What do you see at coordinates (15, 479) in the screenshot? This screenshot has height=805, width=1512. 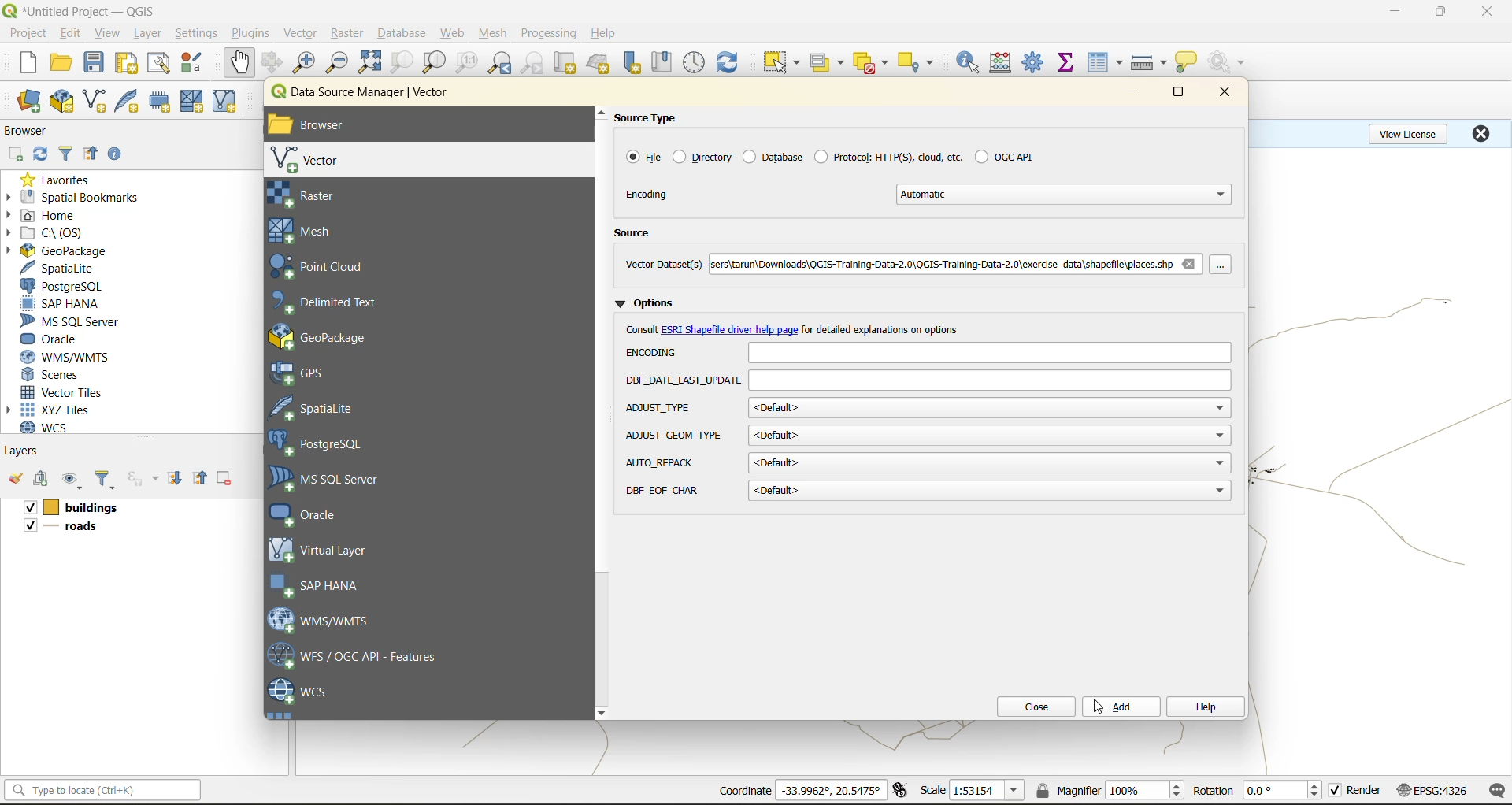 I see `open` at bounding box center [15, 479].